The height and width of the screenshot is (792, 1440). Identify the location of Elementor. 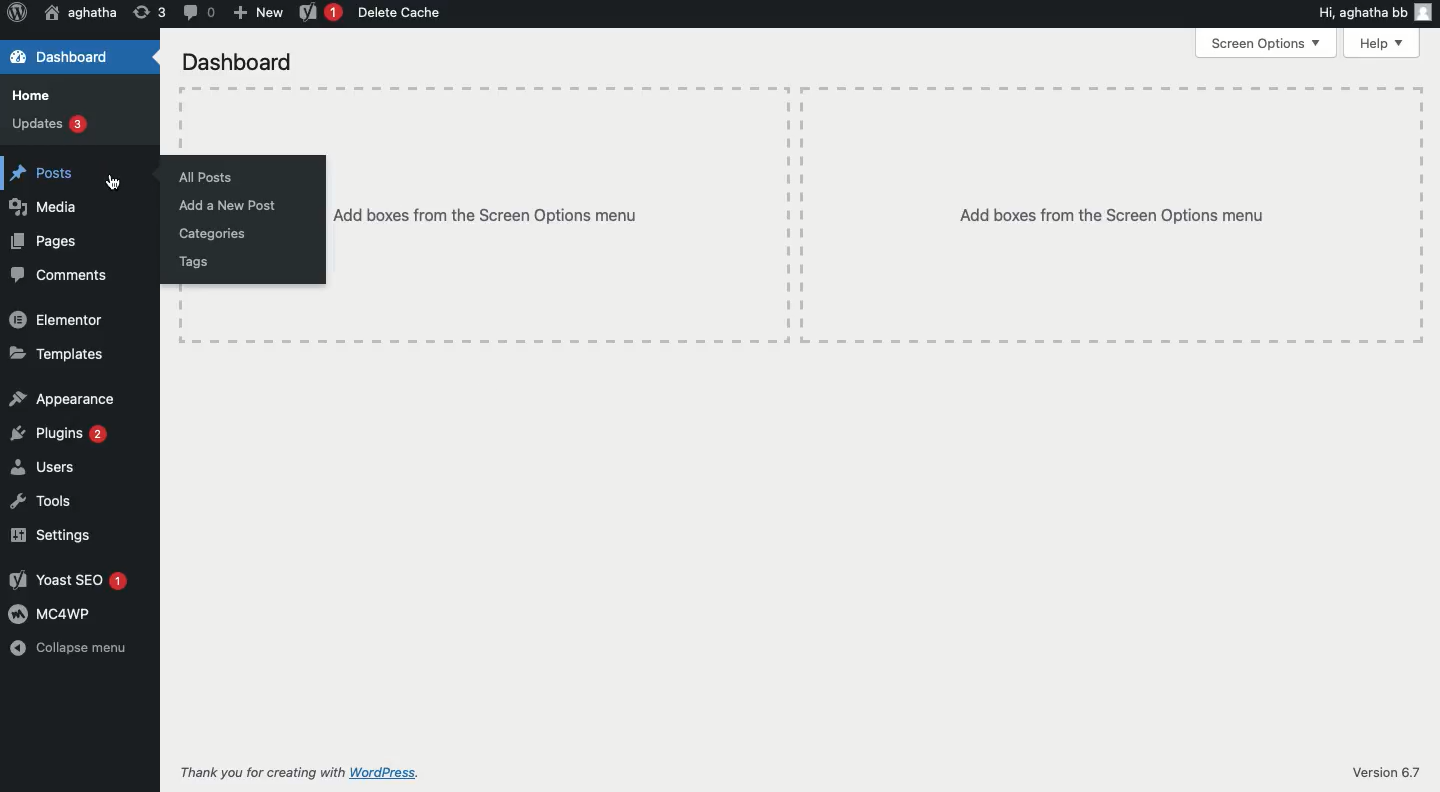
(57, 320).